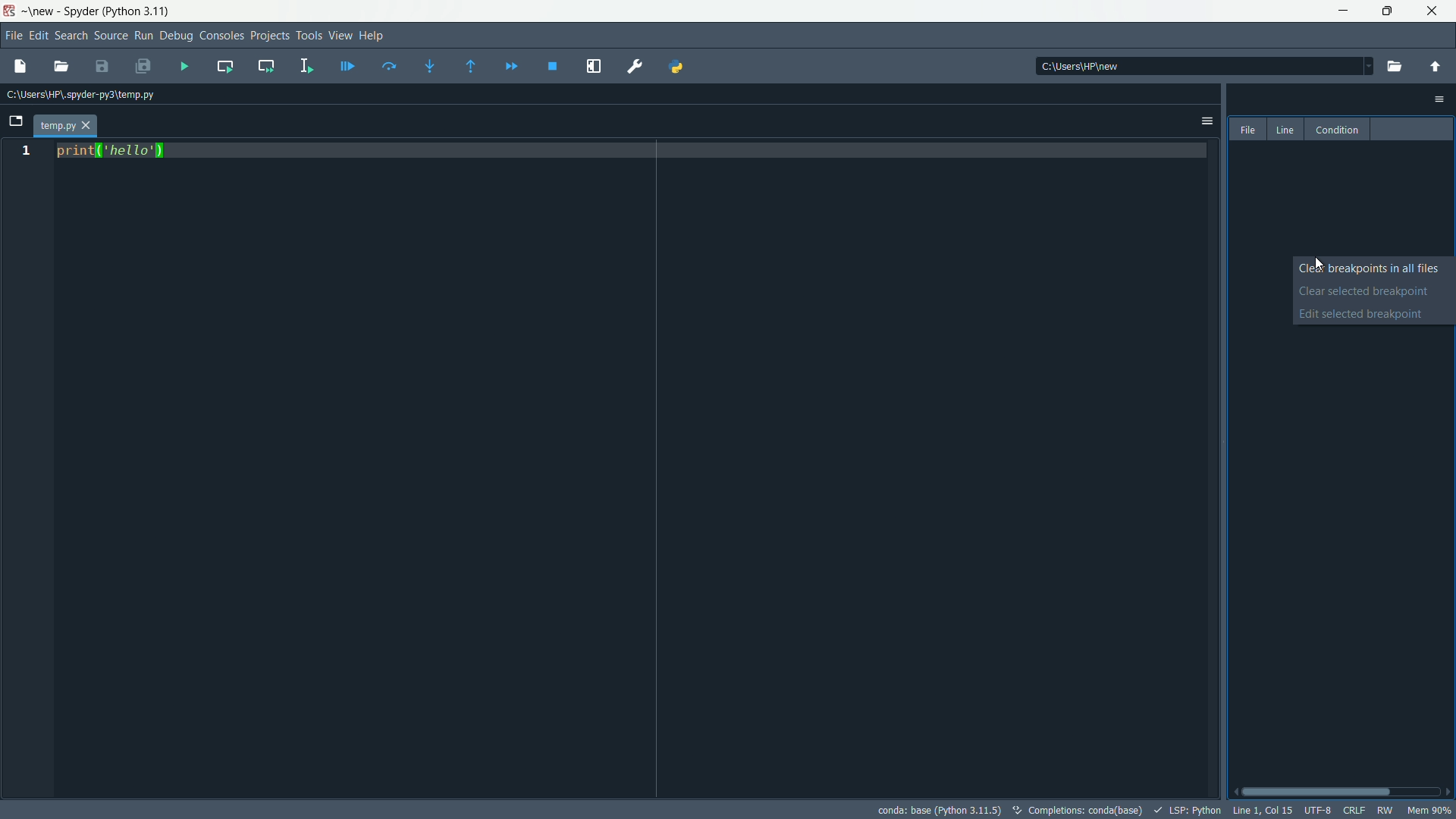  I want to click on file eol status, so click(1353, 812).